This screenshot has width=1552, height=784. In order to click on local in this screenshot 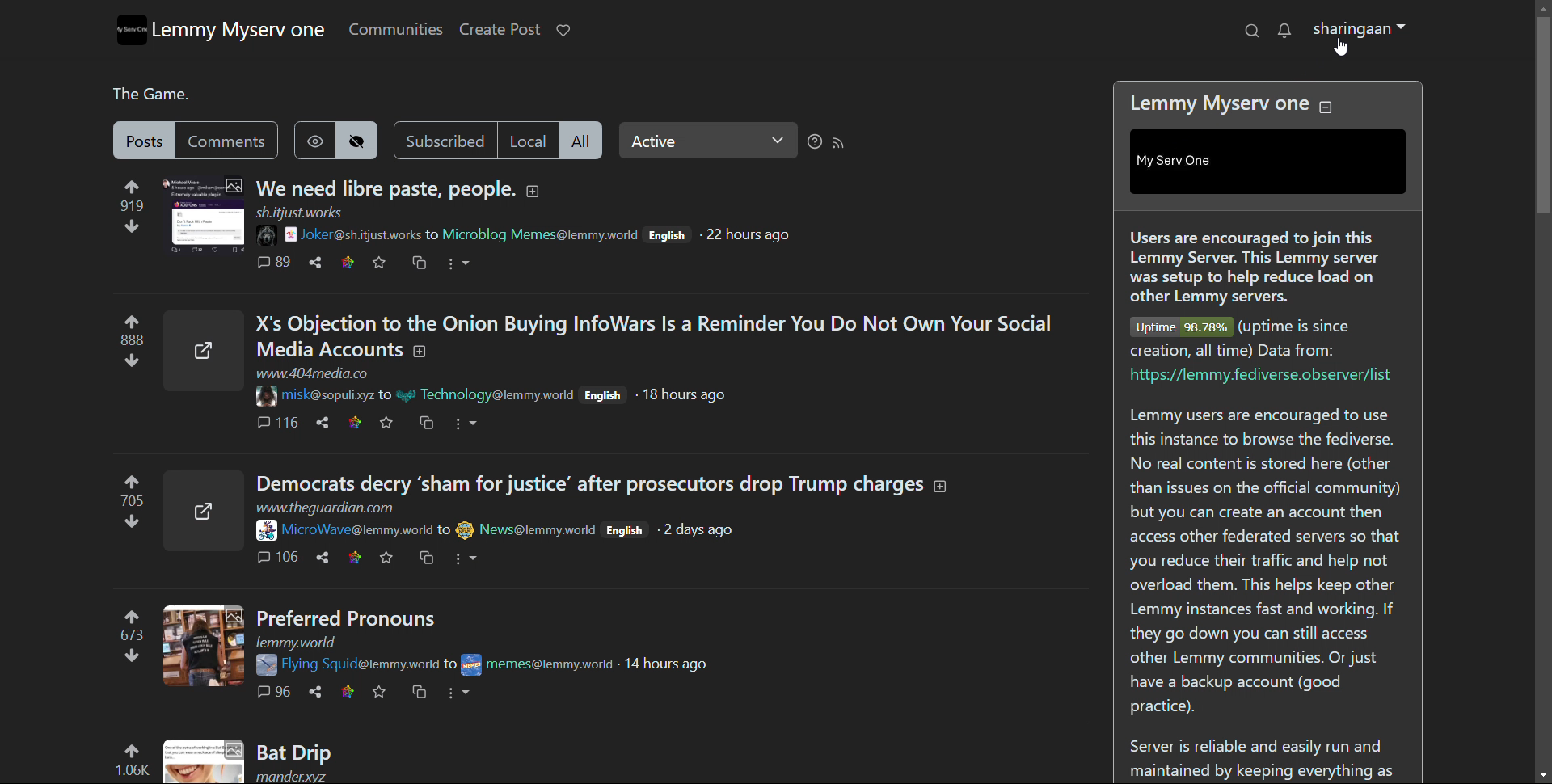, I will do `click(529, 141)`.